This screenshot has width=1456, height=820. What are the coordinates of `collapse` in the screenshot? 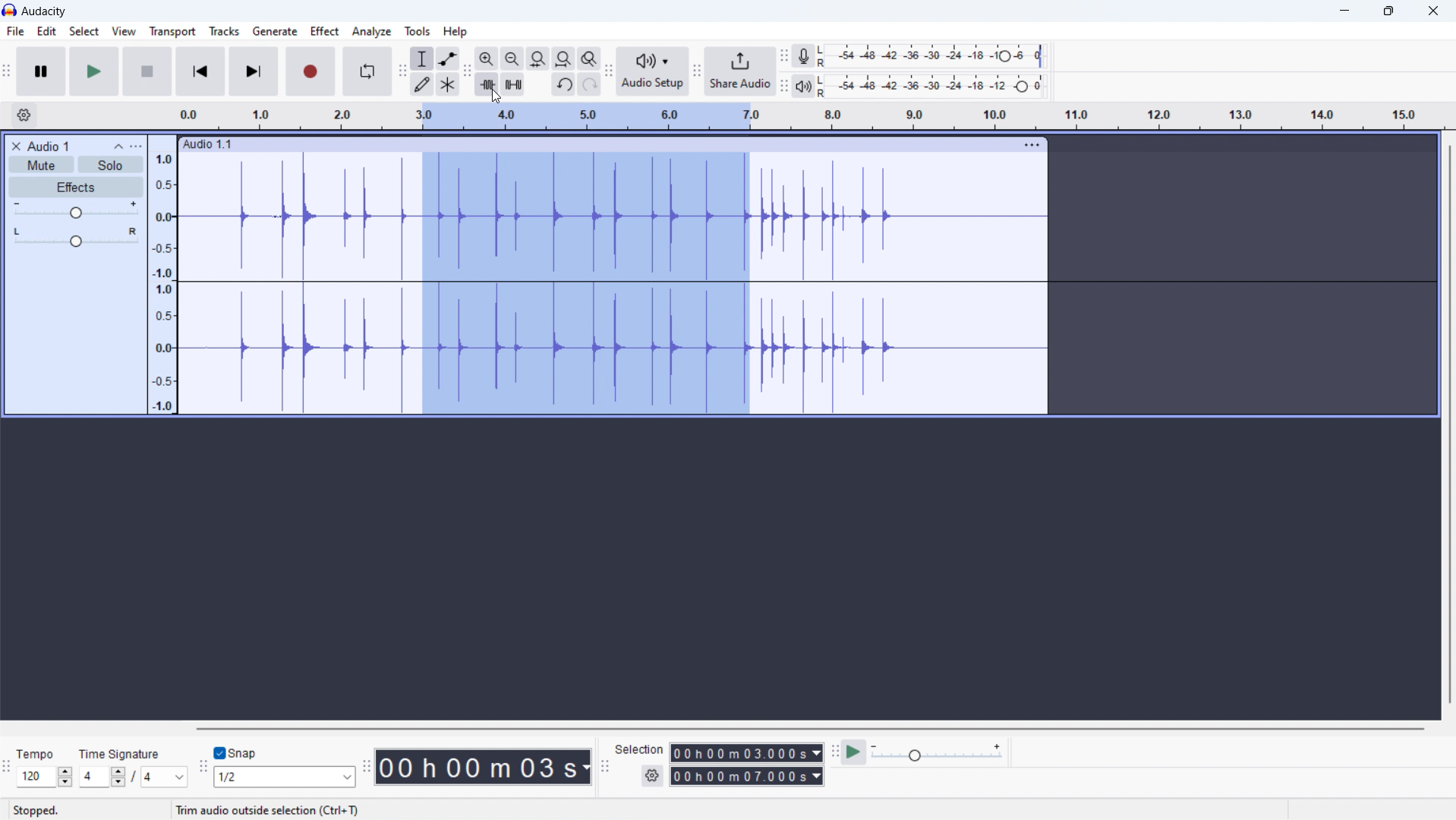 It's located at (118, 147).